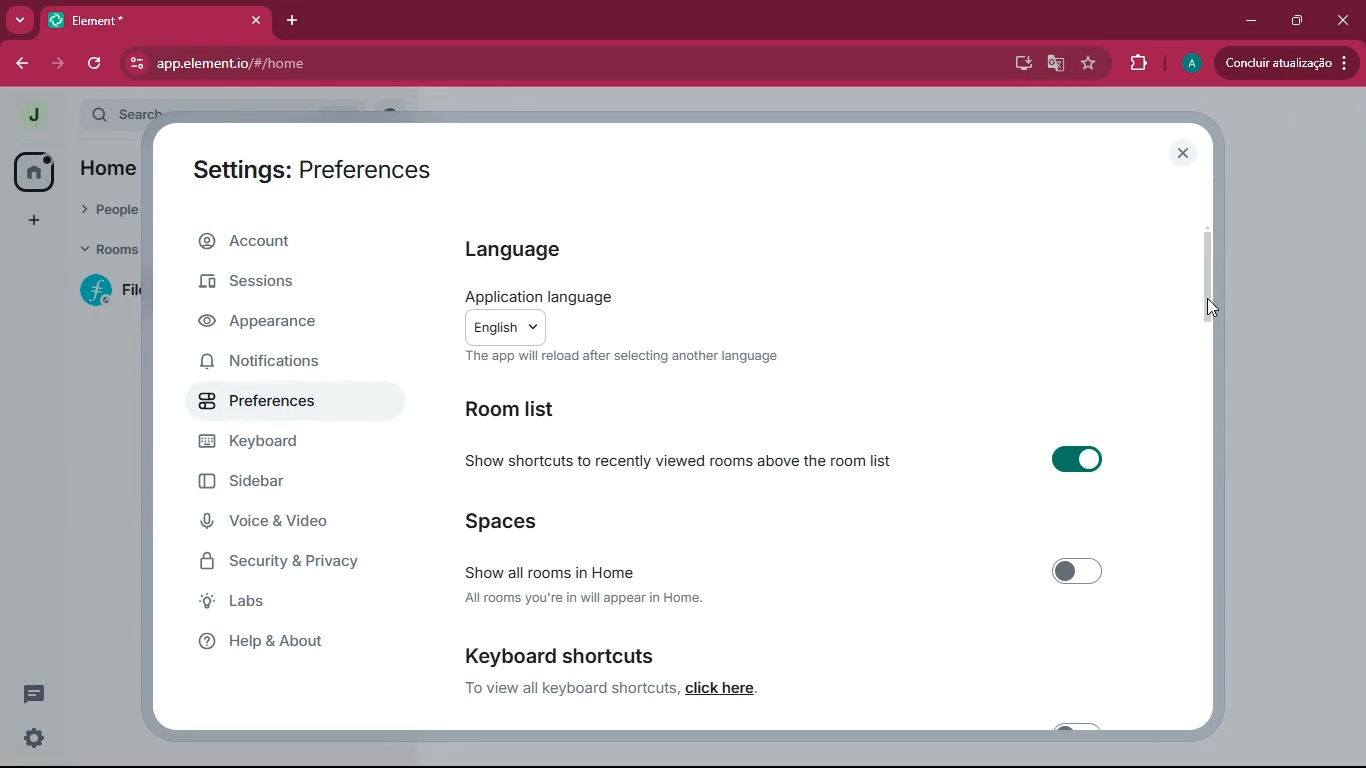 The height and width of the screenshot is (768, 1366). What do you see at coordinates (552, 250) in the screenshot?
I see `language` at bounding box center [552, 250].